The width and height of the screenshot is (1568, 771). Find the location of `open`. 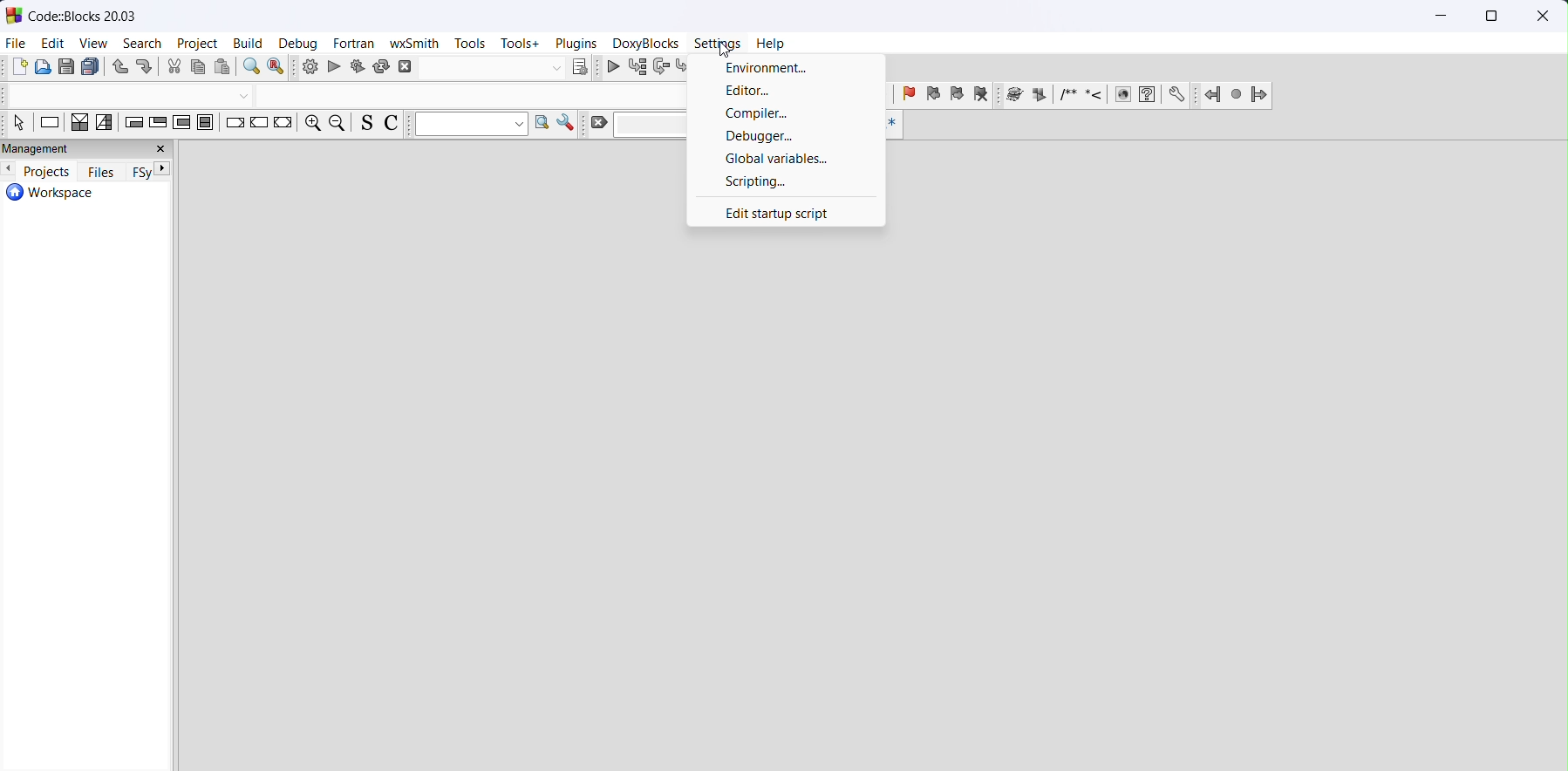

open is located at coordinates (44, 67).